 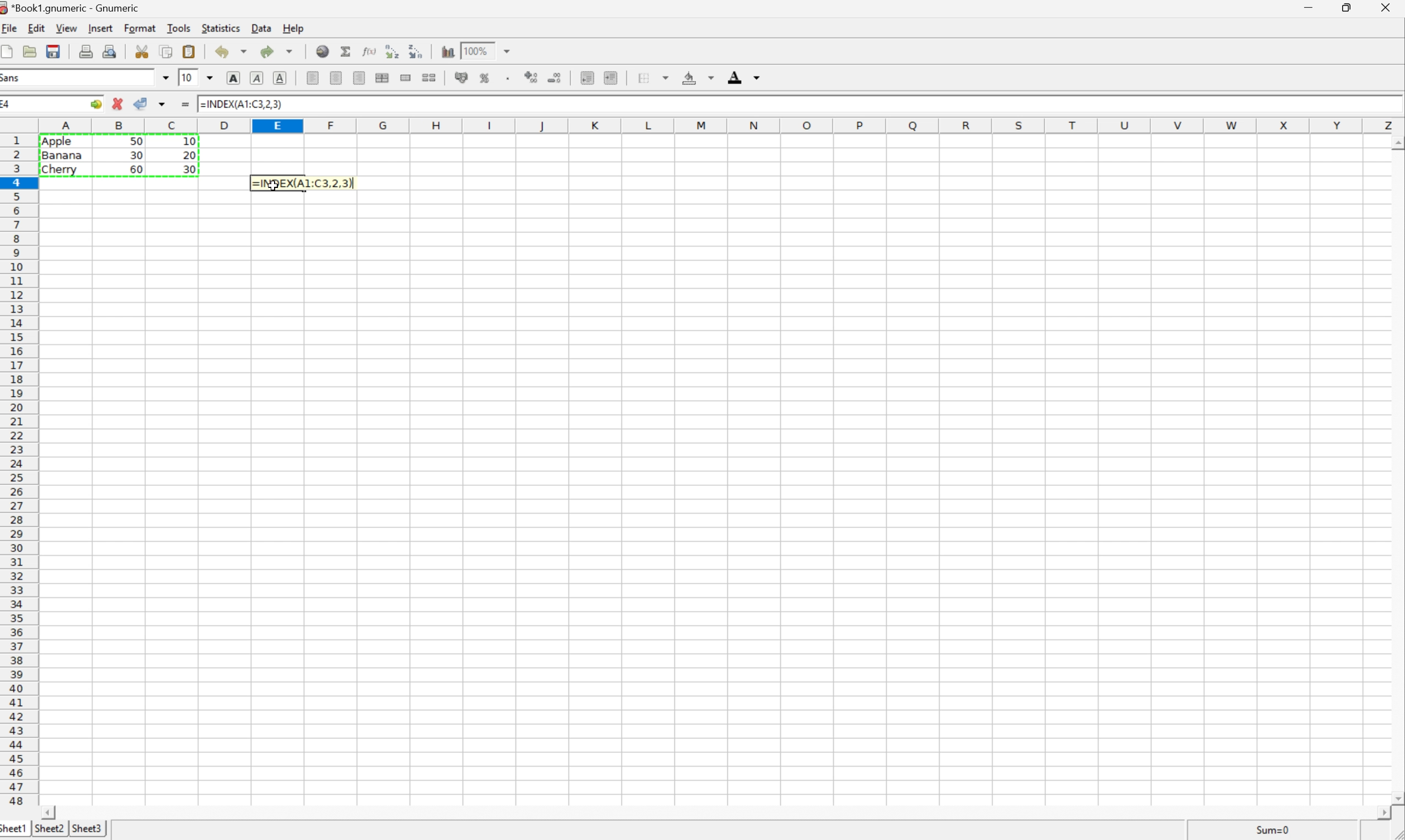 I want to click on application name, so click(x=70, y=8).